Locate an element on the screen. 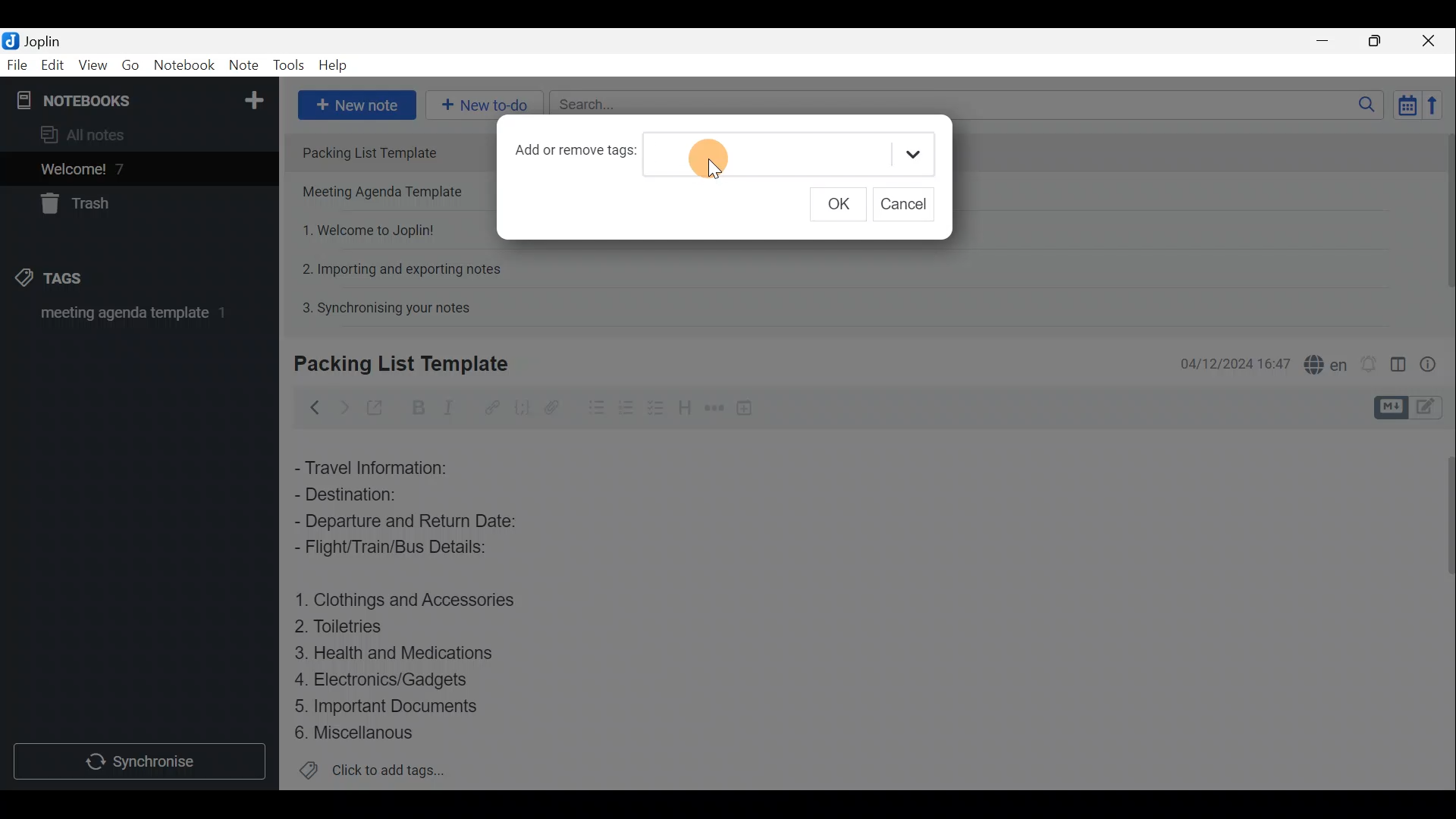 The image size is (1456, 819). Checkbox is located at coordinates (626, 405).